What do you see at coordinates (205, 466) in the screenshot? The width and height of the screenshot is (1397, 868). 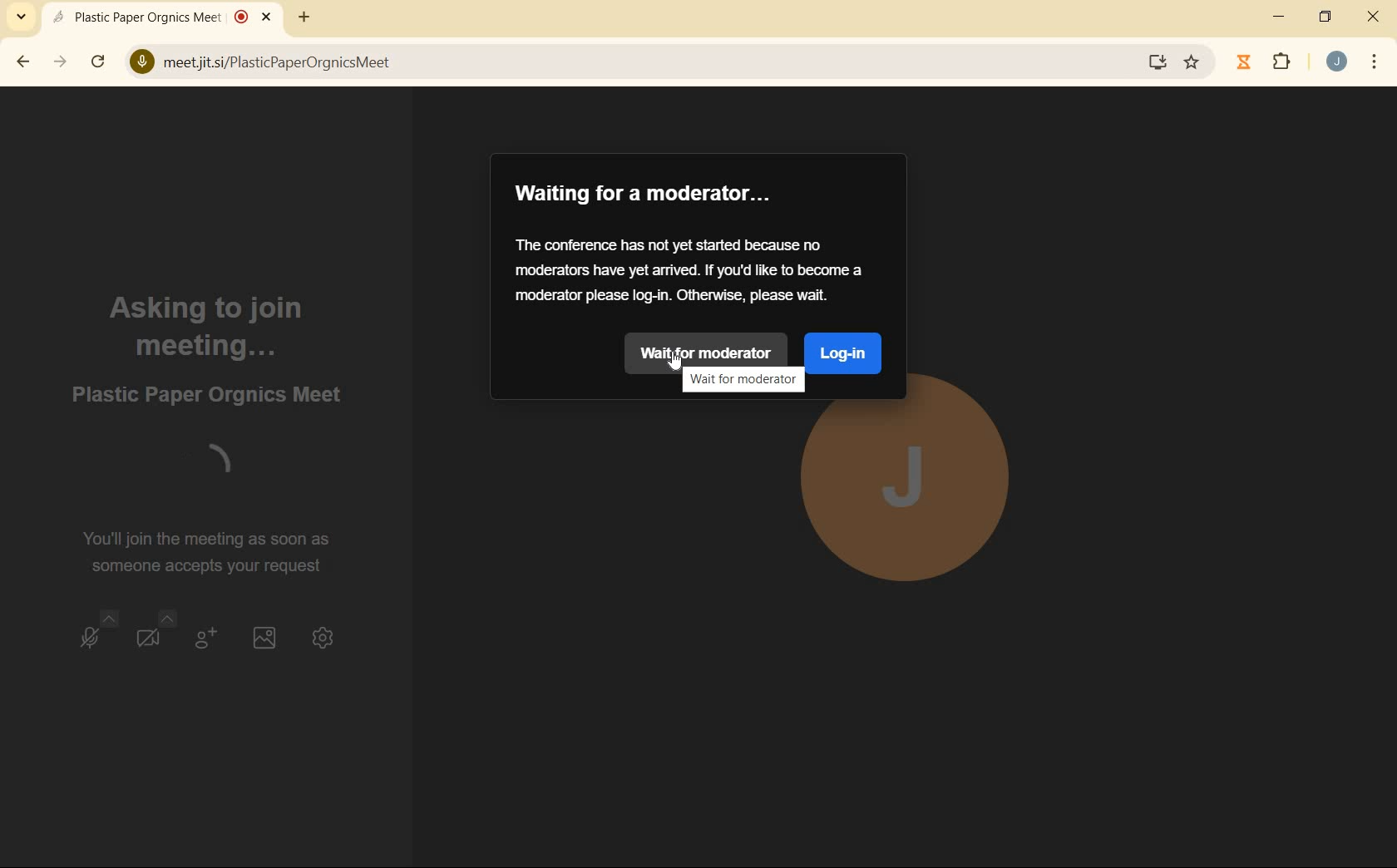 I see `Loading` at bounding box center [205, 466].